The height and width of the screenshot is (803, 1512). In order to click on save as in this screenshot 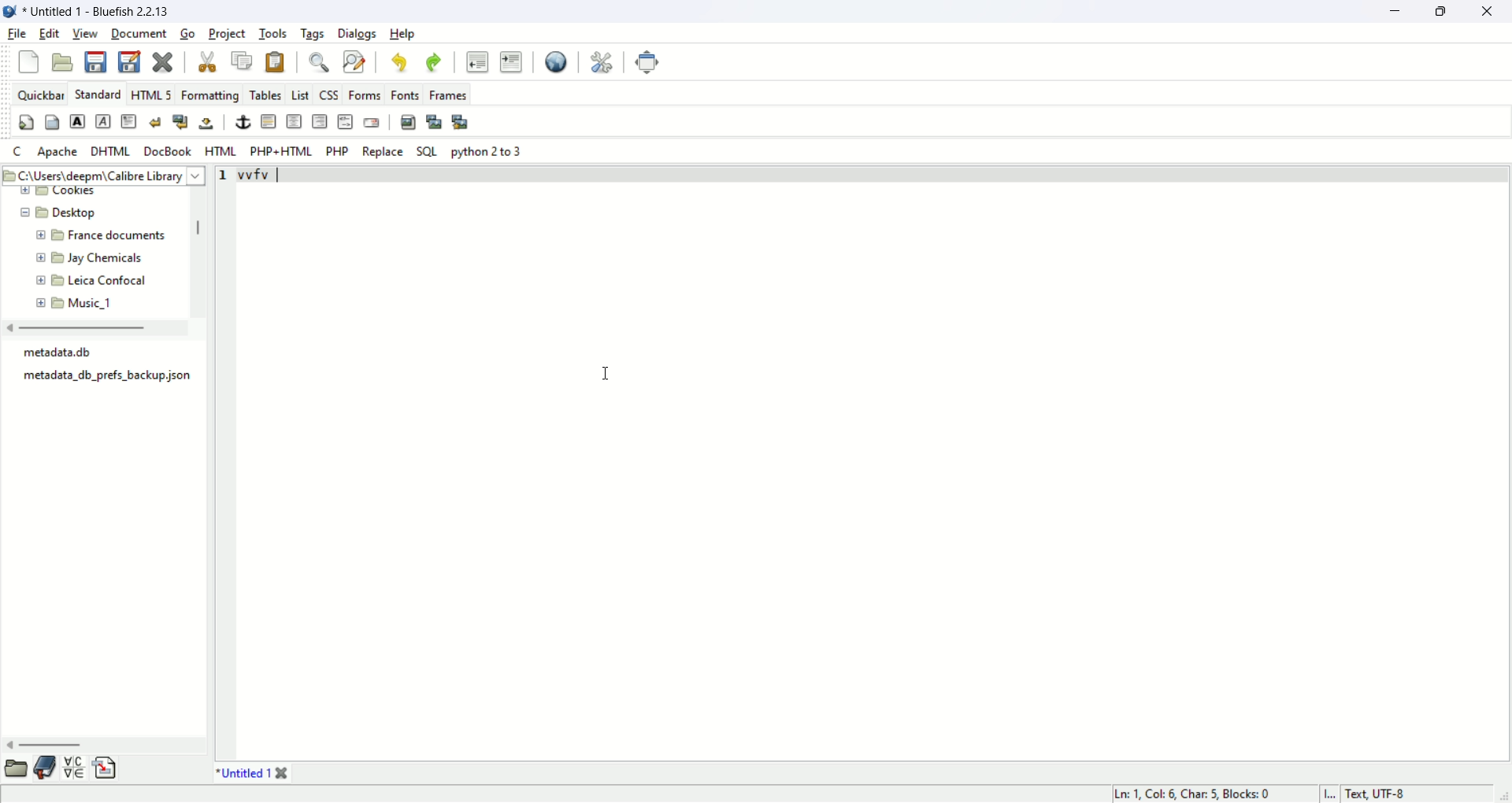, I will do `click(128, 61)`.